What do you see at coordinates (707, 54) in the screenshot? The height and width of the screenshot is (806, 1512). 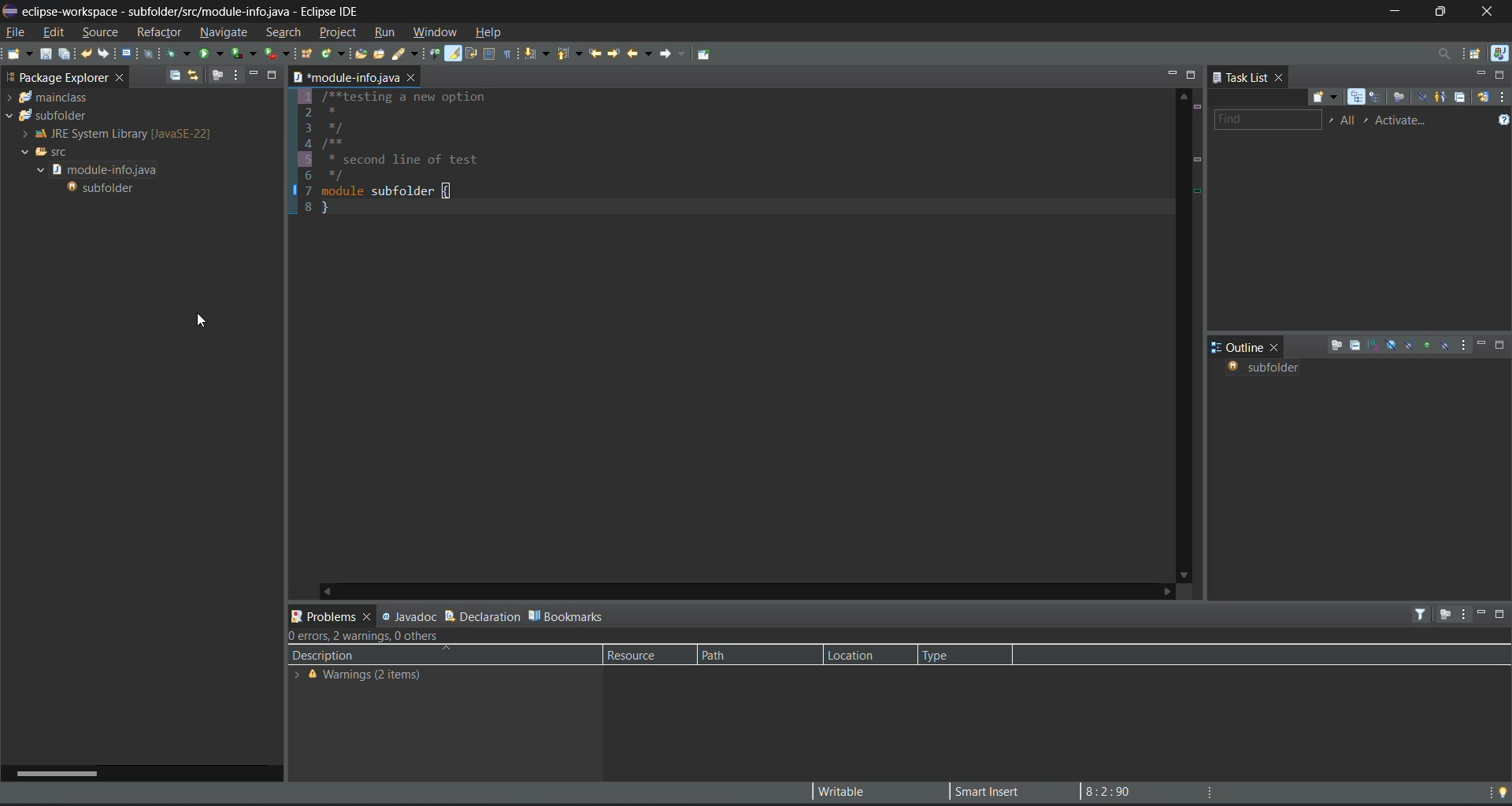 I see `pin editor` at bounding box center [707, 54].